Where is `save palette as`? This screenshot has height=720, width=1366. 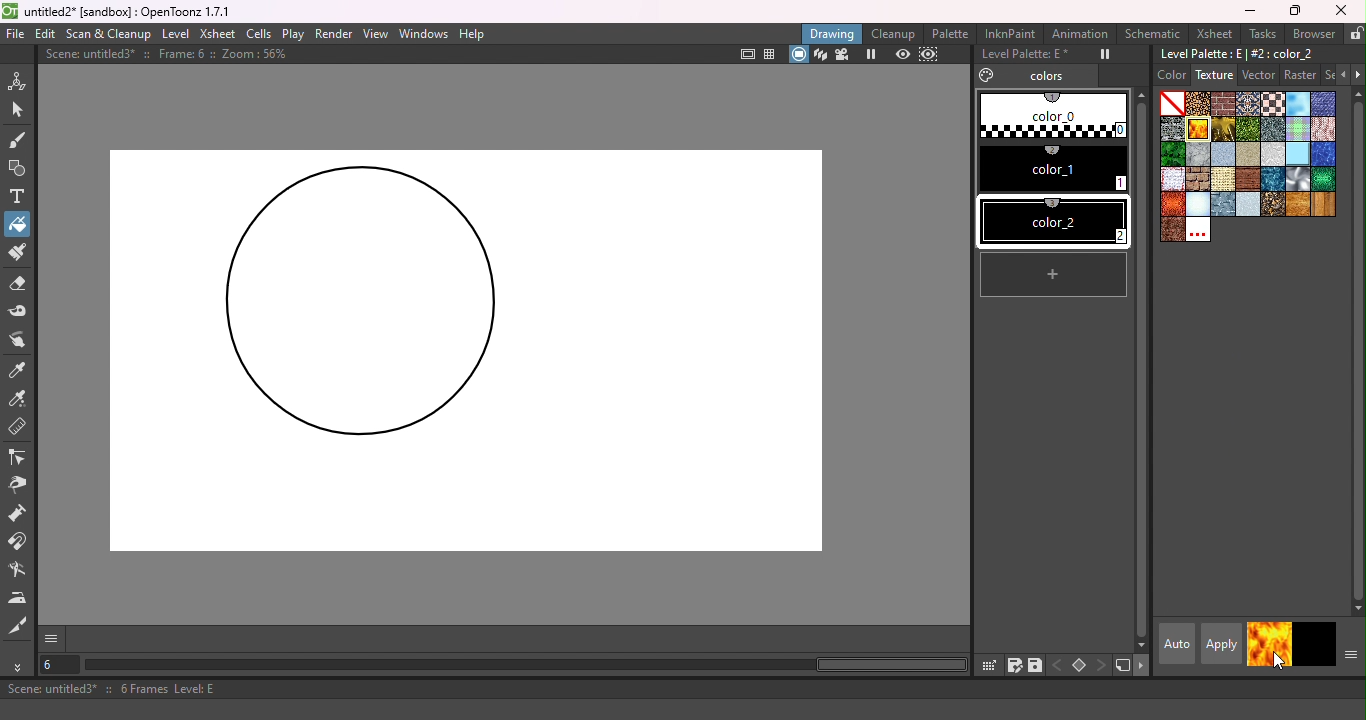 save palette as is located at coordinates (1013, 665).